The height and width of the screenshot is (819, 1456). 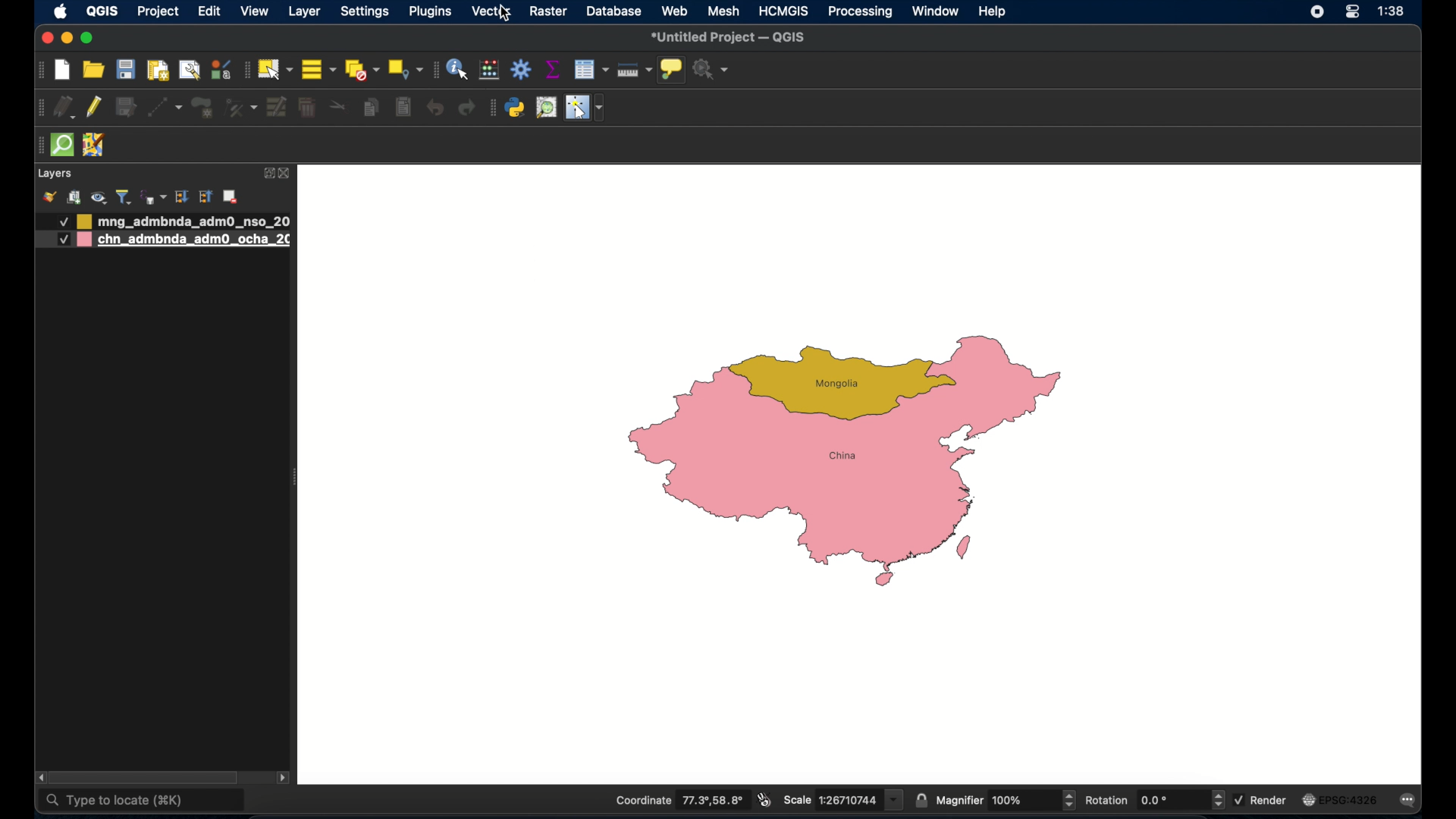 I want to click on open attribute table, so click(x=591, y=69).